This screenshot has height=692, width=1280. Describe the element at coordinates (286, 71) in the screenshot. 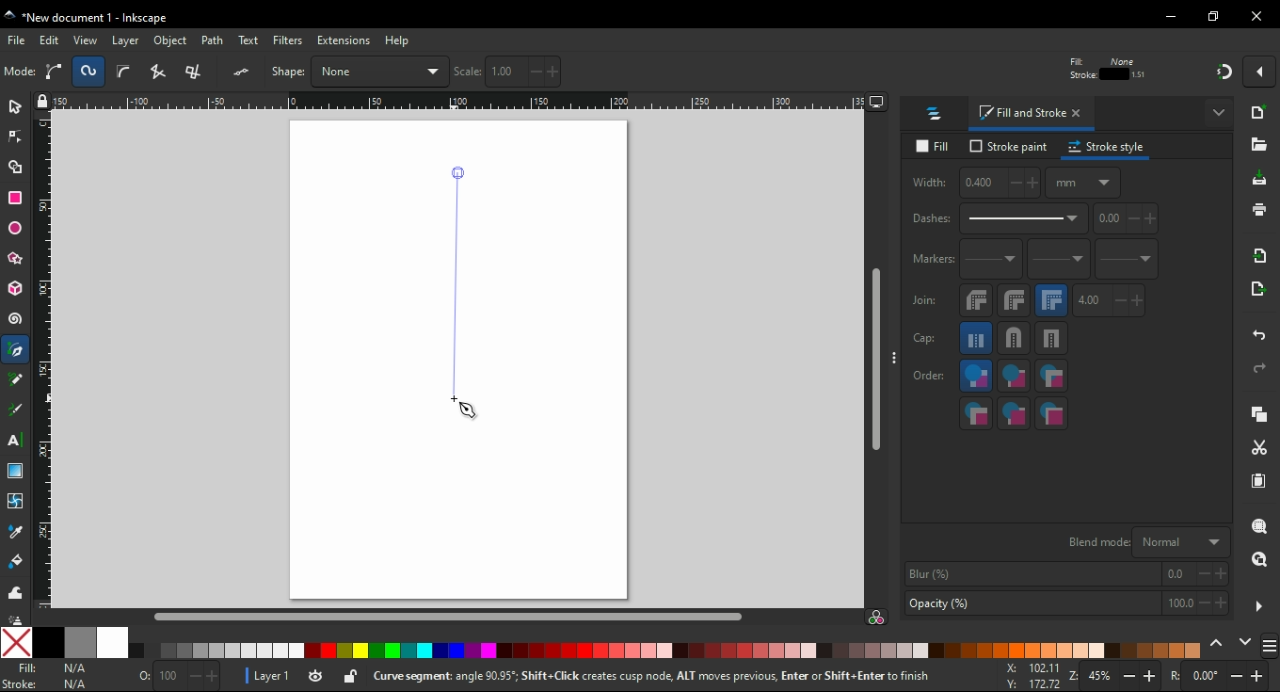

I see `object flip  vertical` at that location.